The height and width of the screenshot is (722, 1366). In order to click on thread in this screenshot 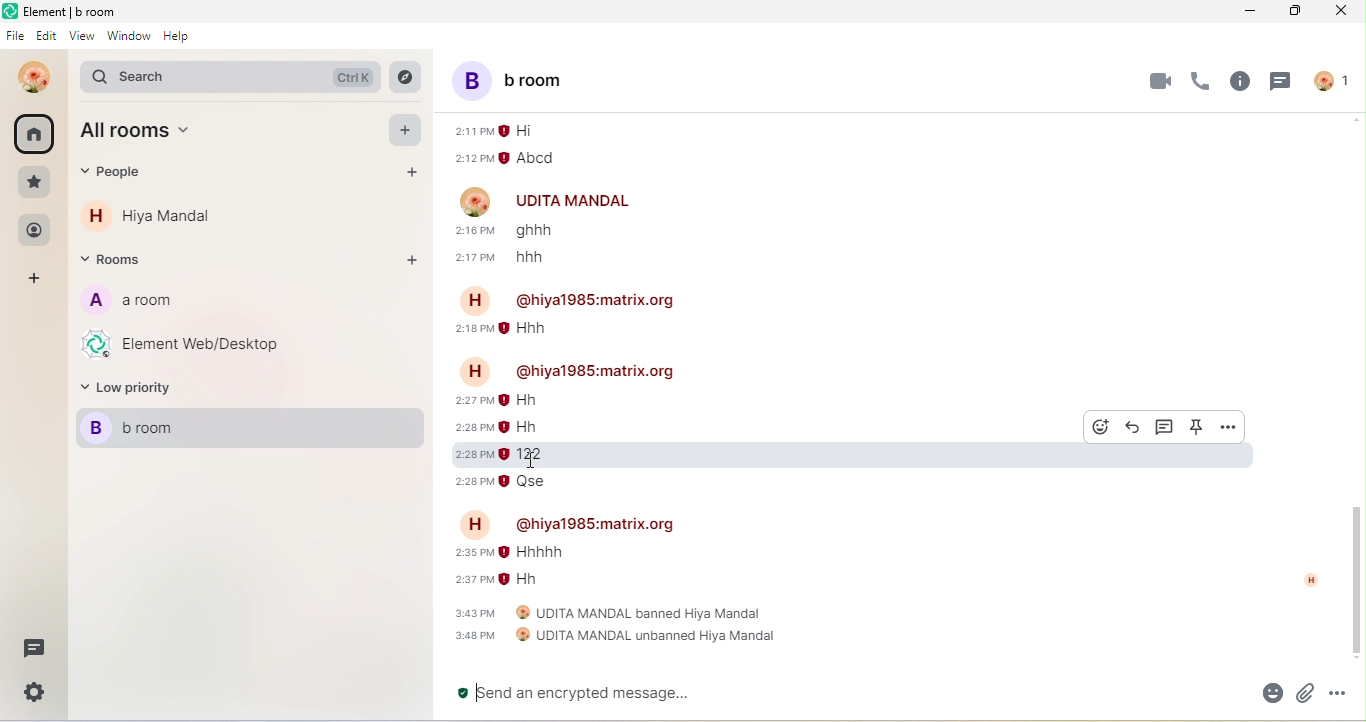, I will do `click(1285, 85)`.